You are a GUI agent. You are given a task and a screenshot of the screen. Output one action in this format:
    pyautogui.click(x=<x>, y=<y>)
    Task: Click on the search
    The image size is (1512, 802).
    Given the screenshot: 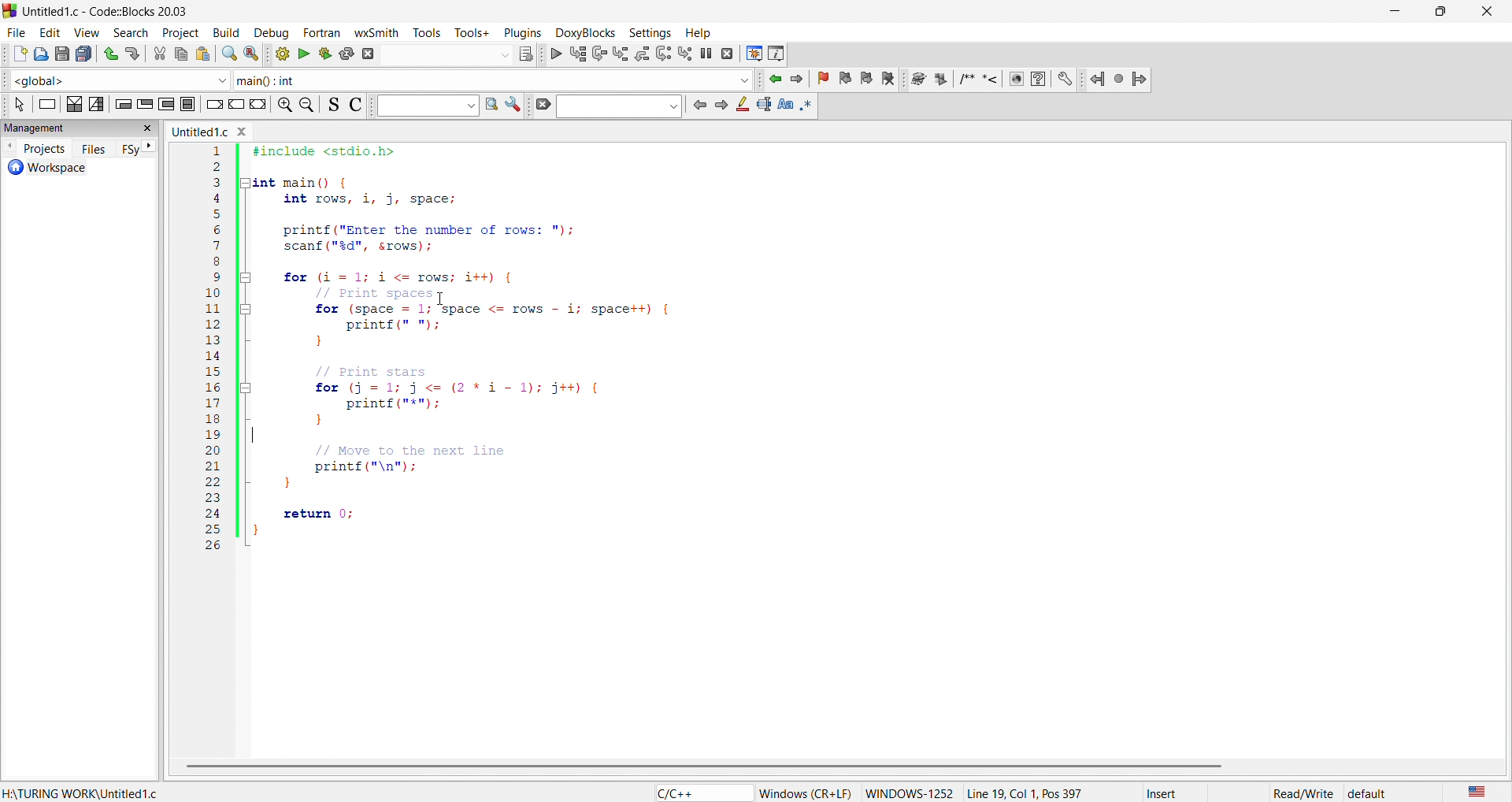 What is the action you would take?
    pyautogui.click(x=125, y=31)
    